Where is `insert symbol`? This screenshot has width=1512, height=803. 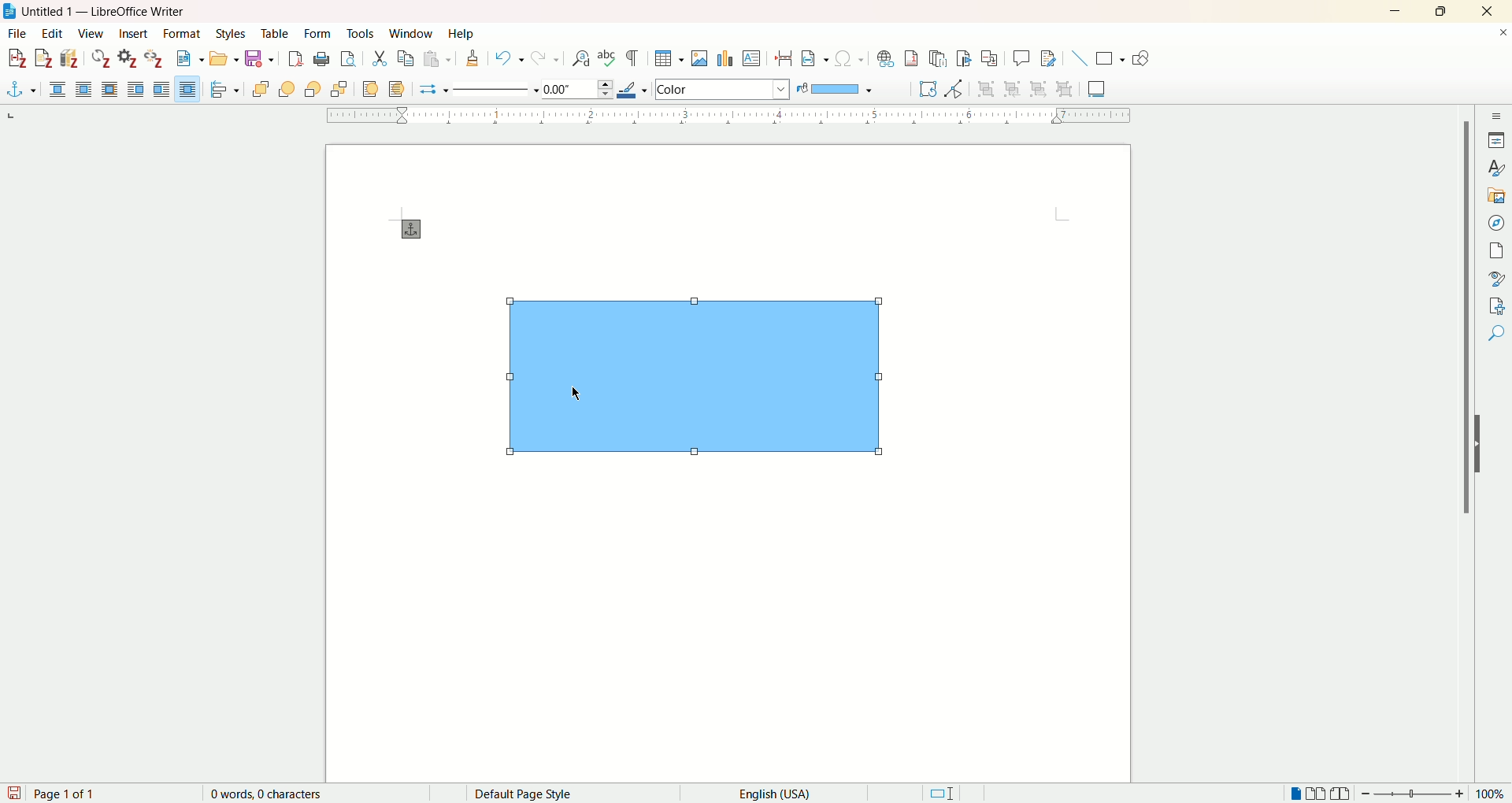
insert symbol is located at coordinates (850, 59).